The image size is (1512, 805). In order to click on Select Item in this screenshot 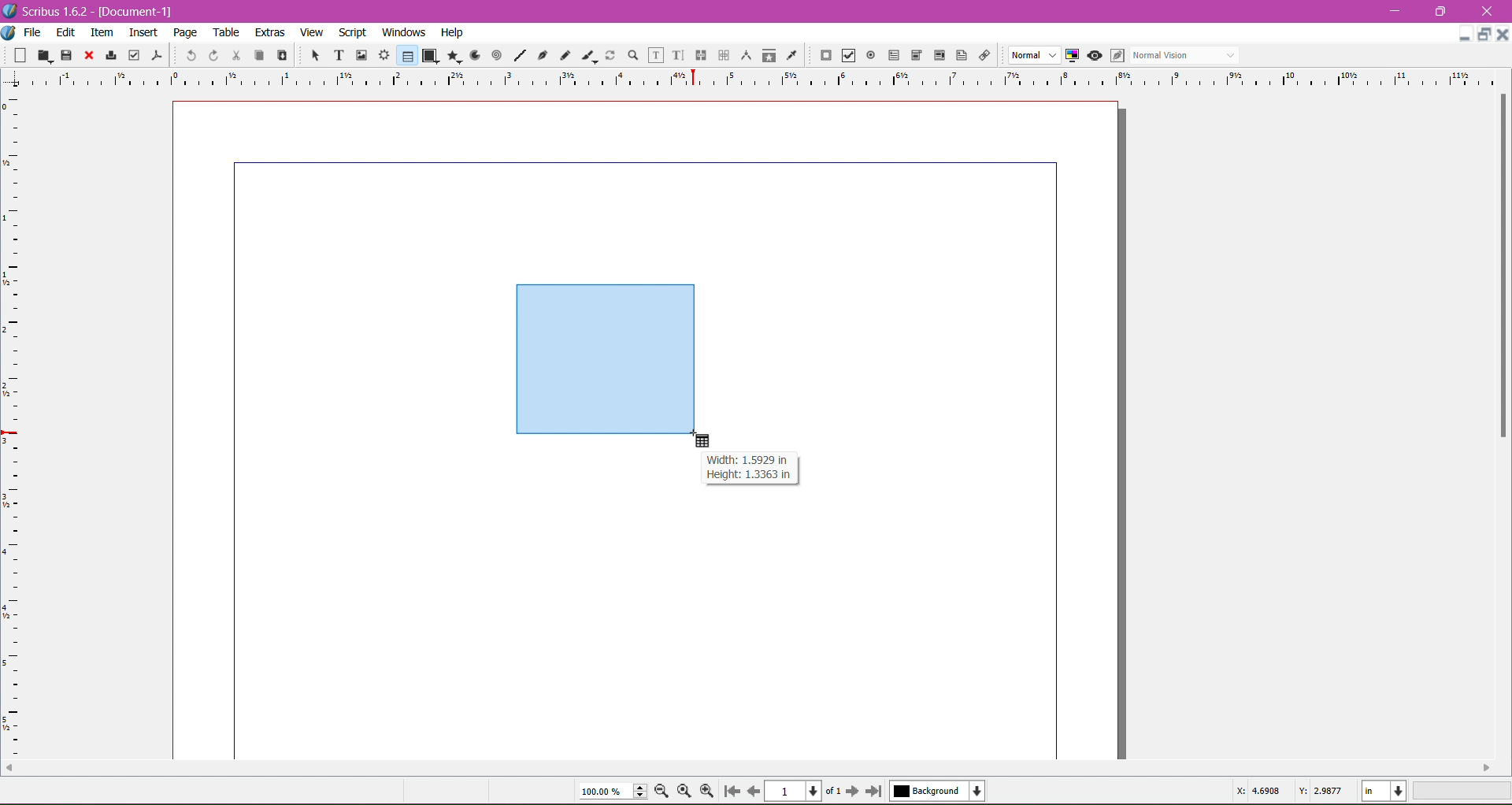, I will do `click(309, 54)`.